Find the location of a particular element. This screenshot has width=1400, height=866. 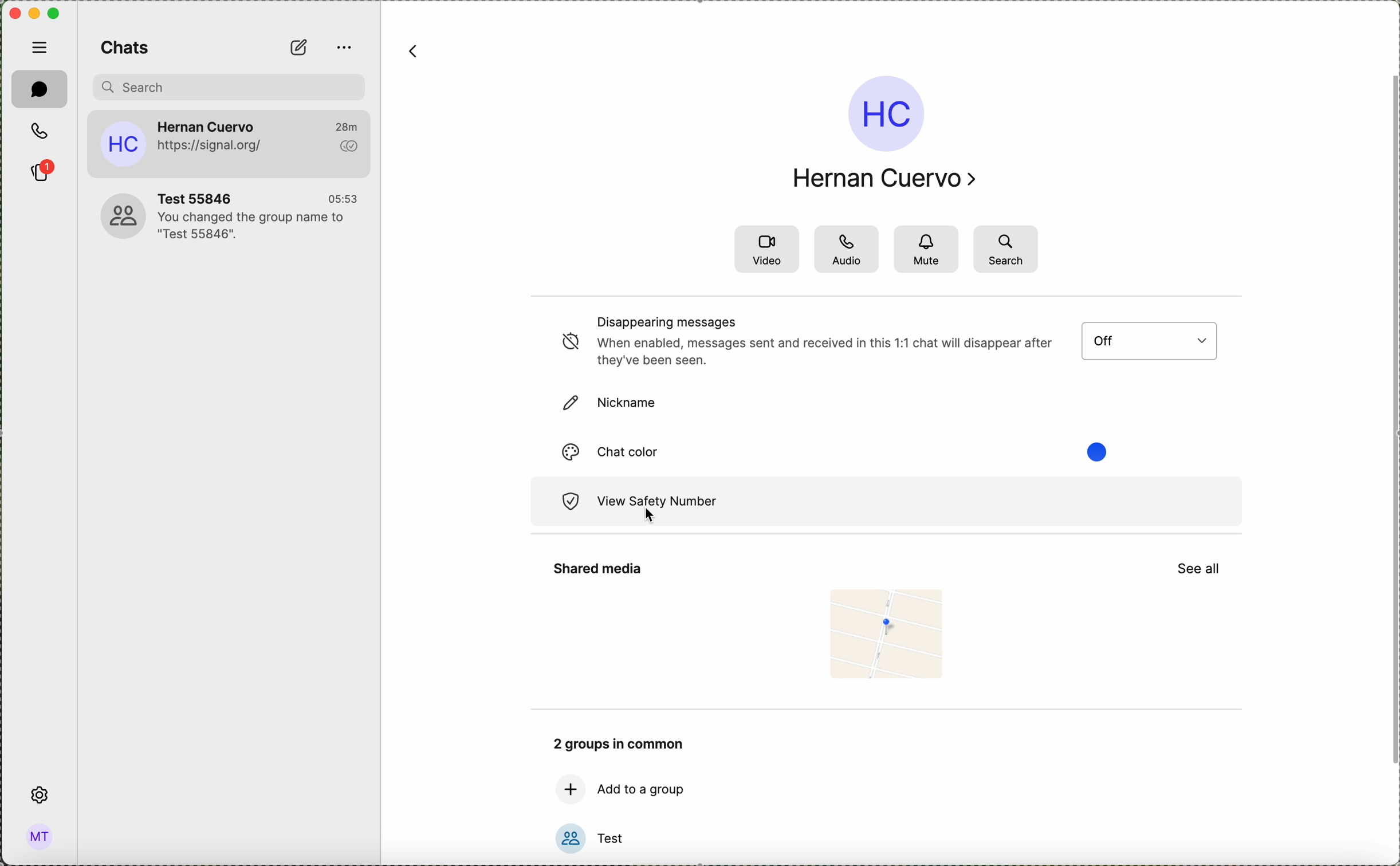

call is located at coordinates (42, 132).